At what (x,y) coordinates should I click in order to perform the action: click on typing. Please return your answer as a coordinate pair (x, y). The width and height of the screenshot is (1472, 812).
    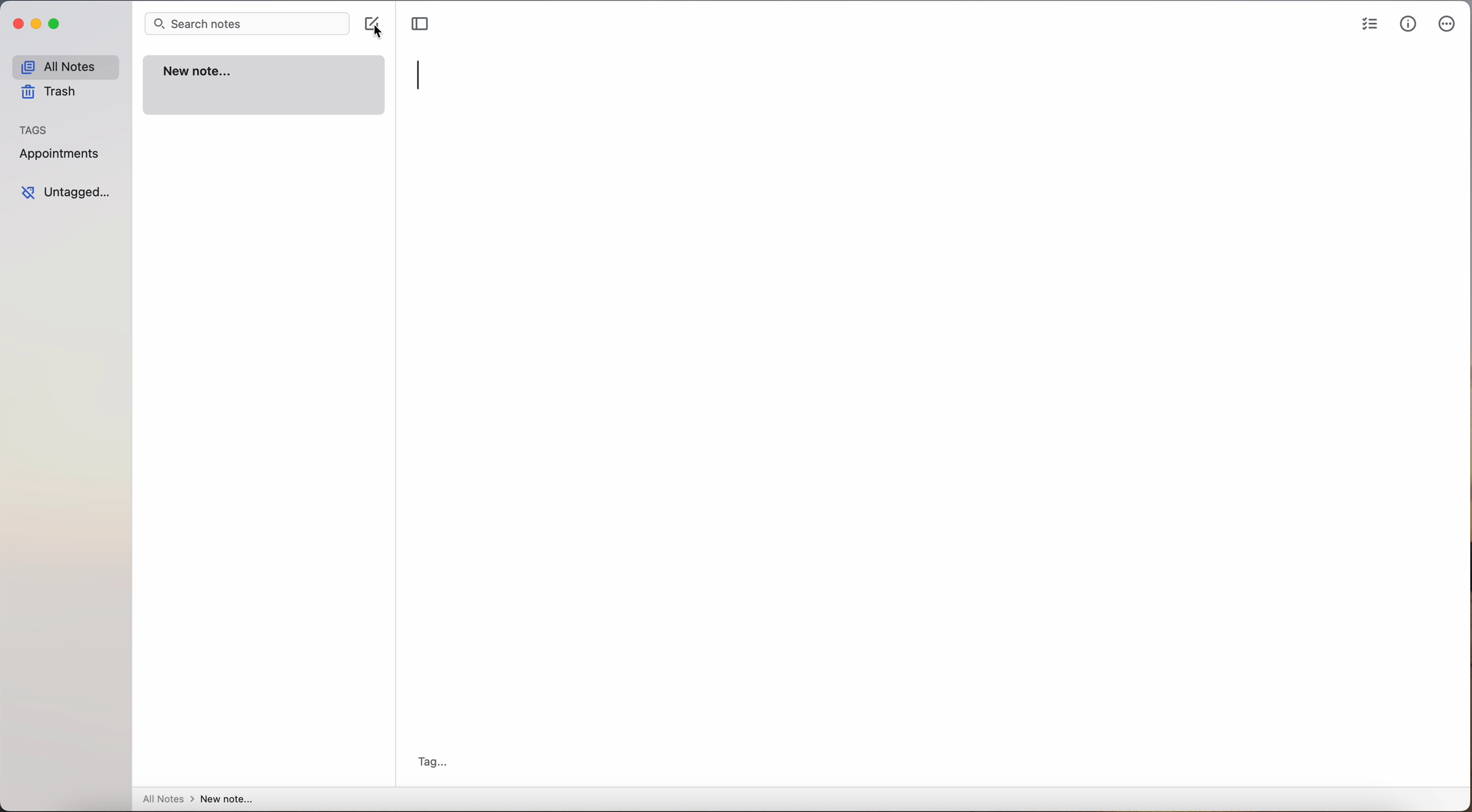
    Looking at the image, I should click on (425, 77).